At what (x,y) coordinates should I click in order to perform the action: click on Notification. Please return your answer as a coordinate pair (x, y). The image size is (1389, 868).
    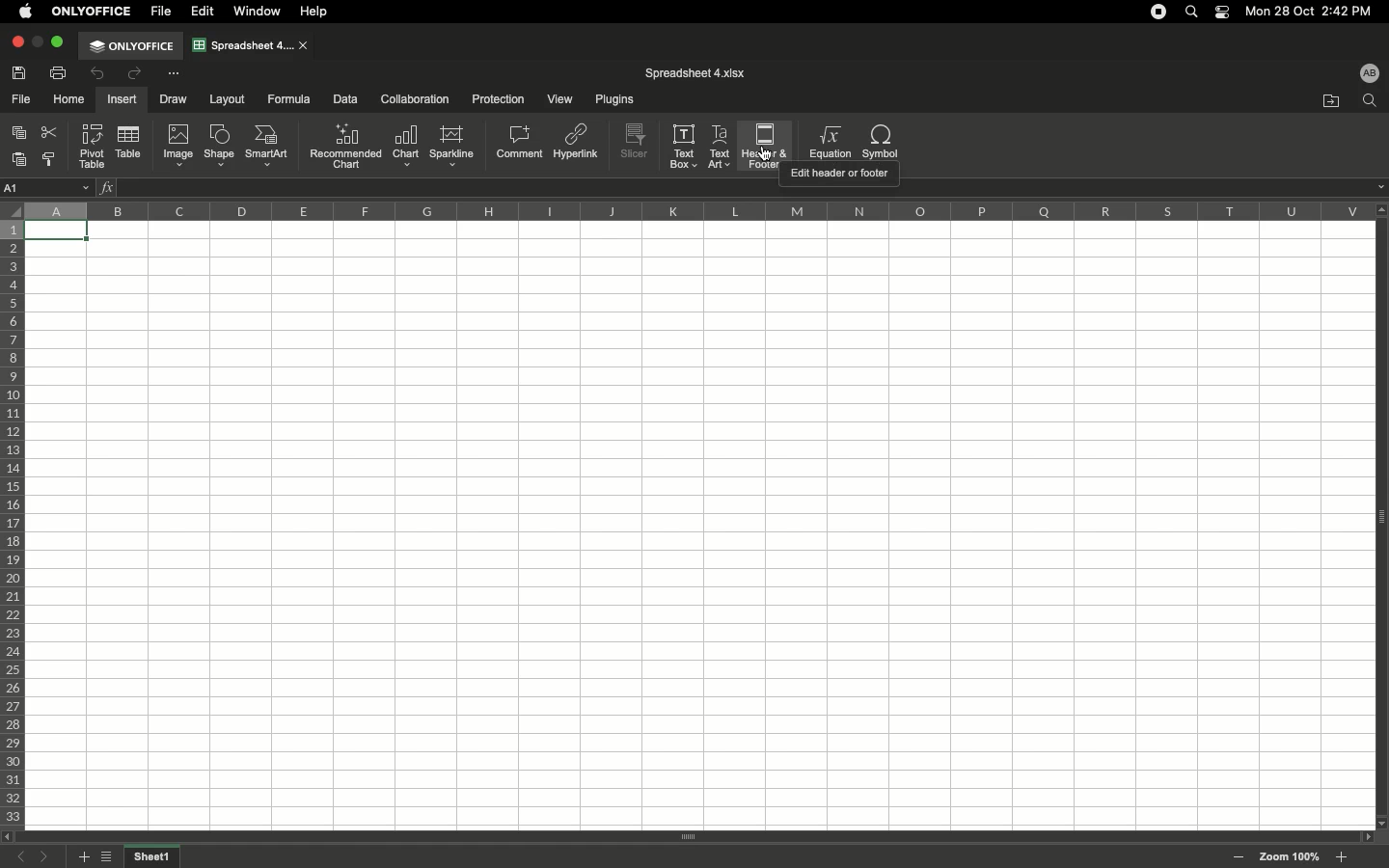
    Looking at the image, I should click on (1224, 13).